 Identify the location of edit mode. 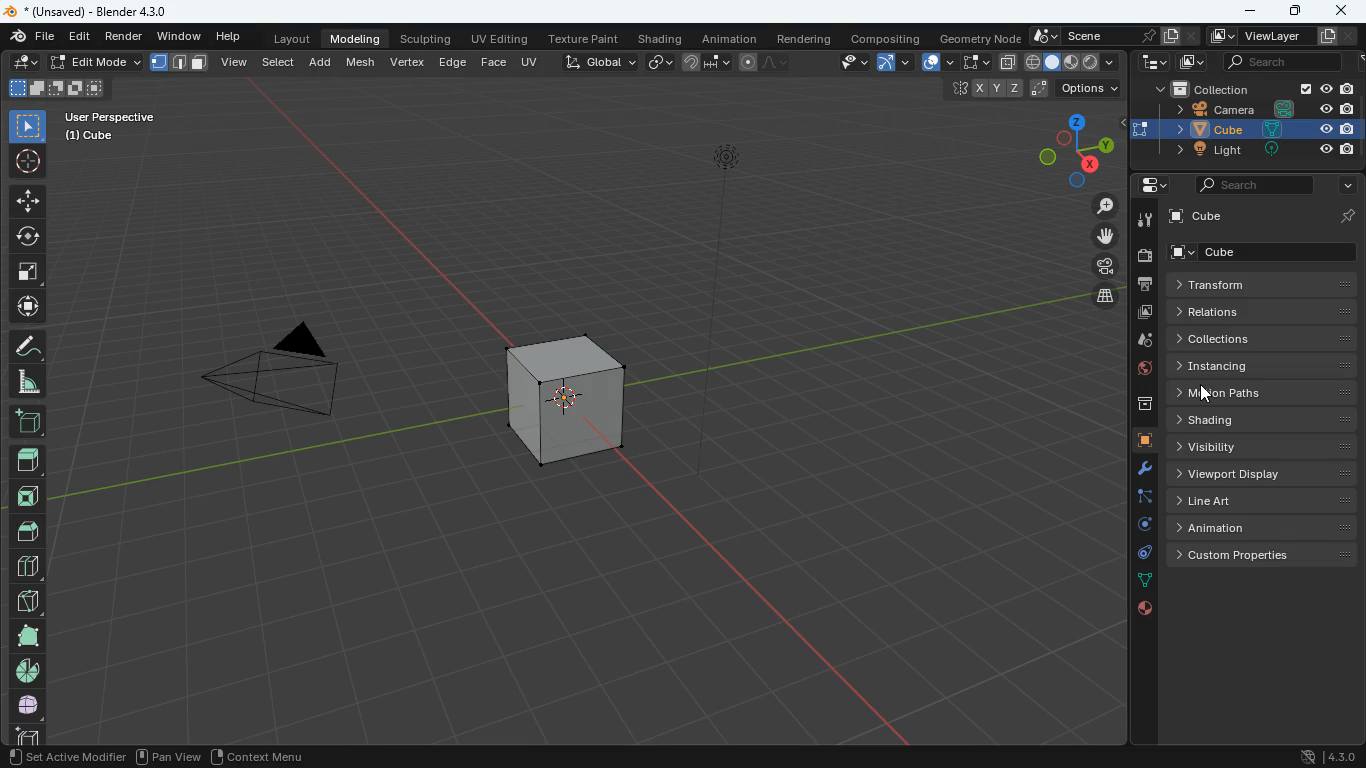
(96, 62).